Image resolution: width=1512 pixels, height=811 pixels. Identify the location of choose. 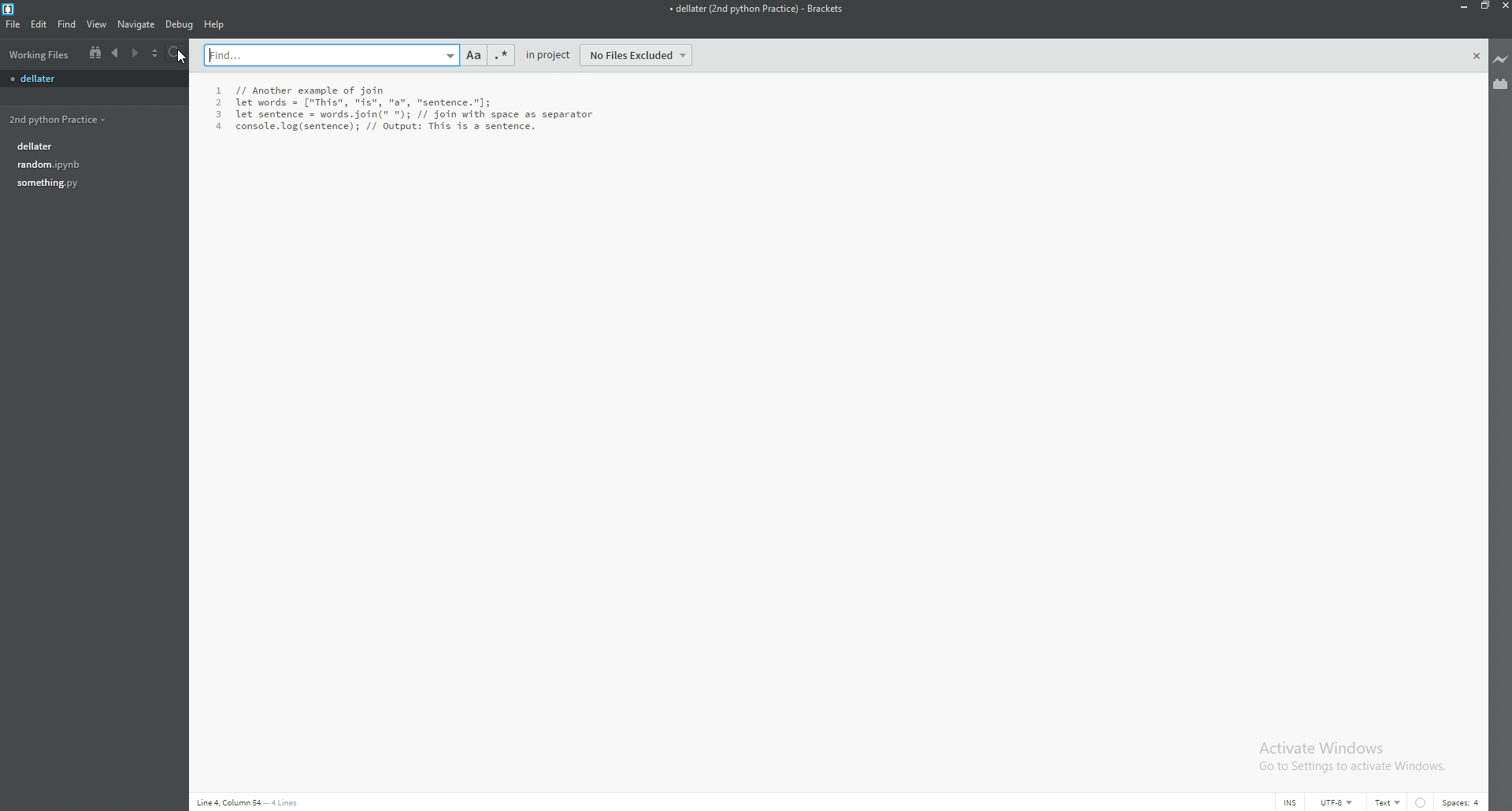
(155, 53).